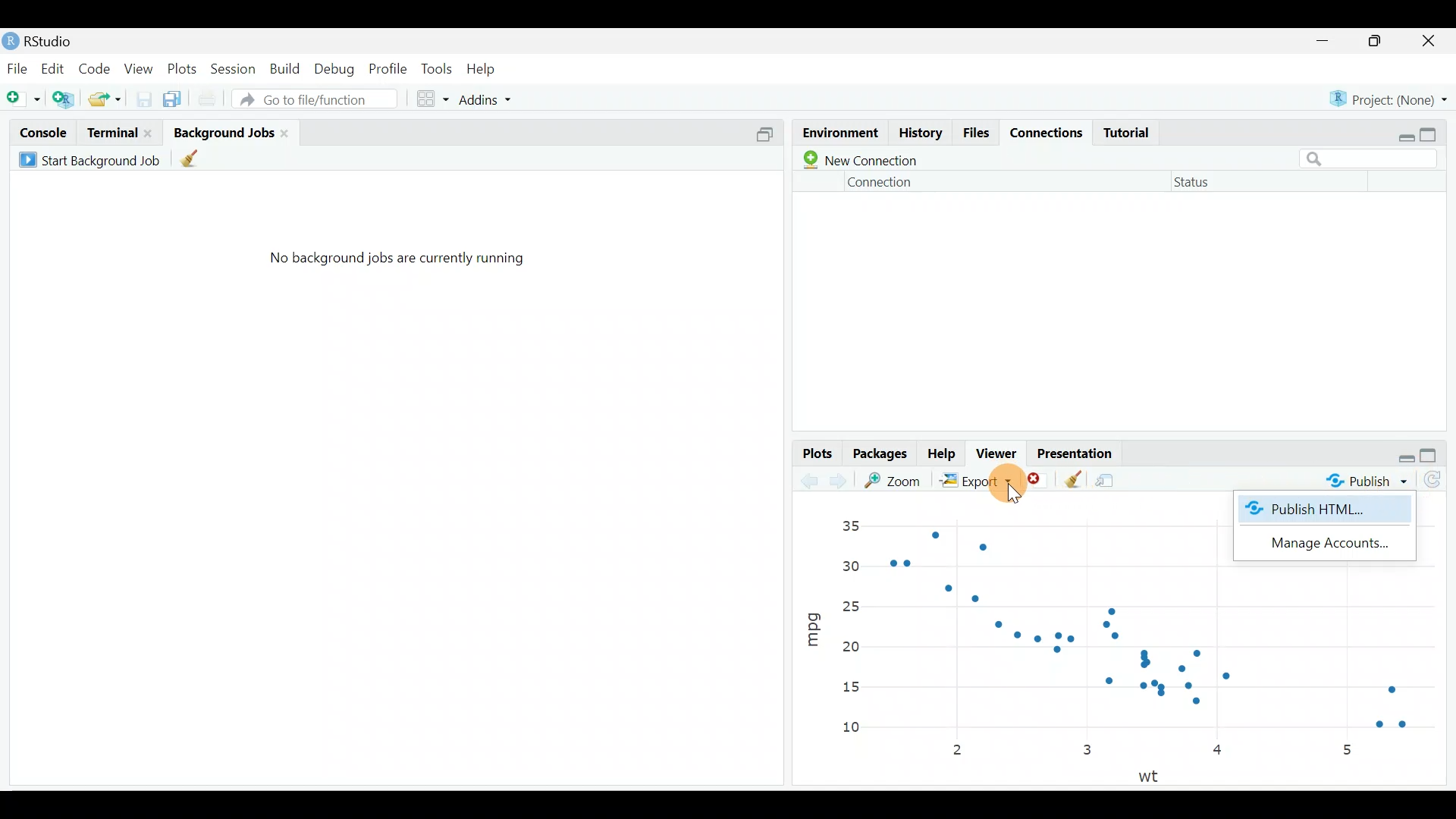 This screenshot has width=1456, height=819. What do you see at coordinates (336, 69) in the screenshot?
I see `Debug` at bounding box center [336, 69].